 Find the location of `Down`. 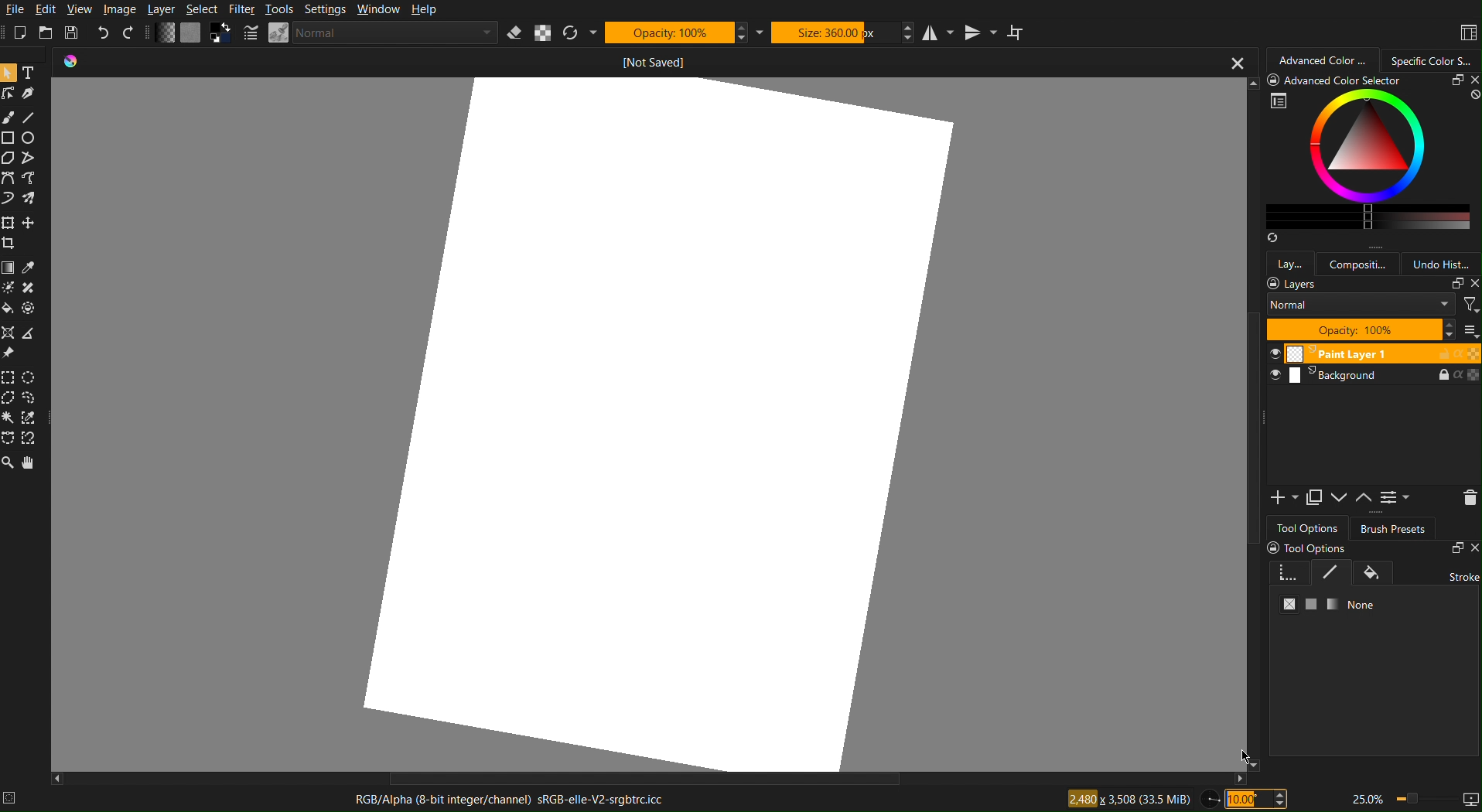

Down is located at coordinates (1340, 499).